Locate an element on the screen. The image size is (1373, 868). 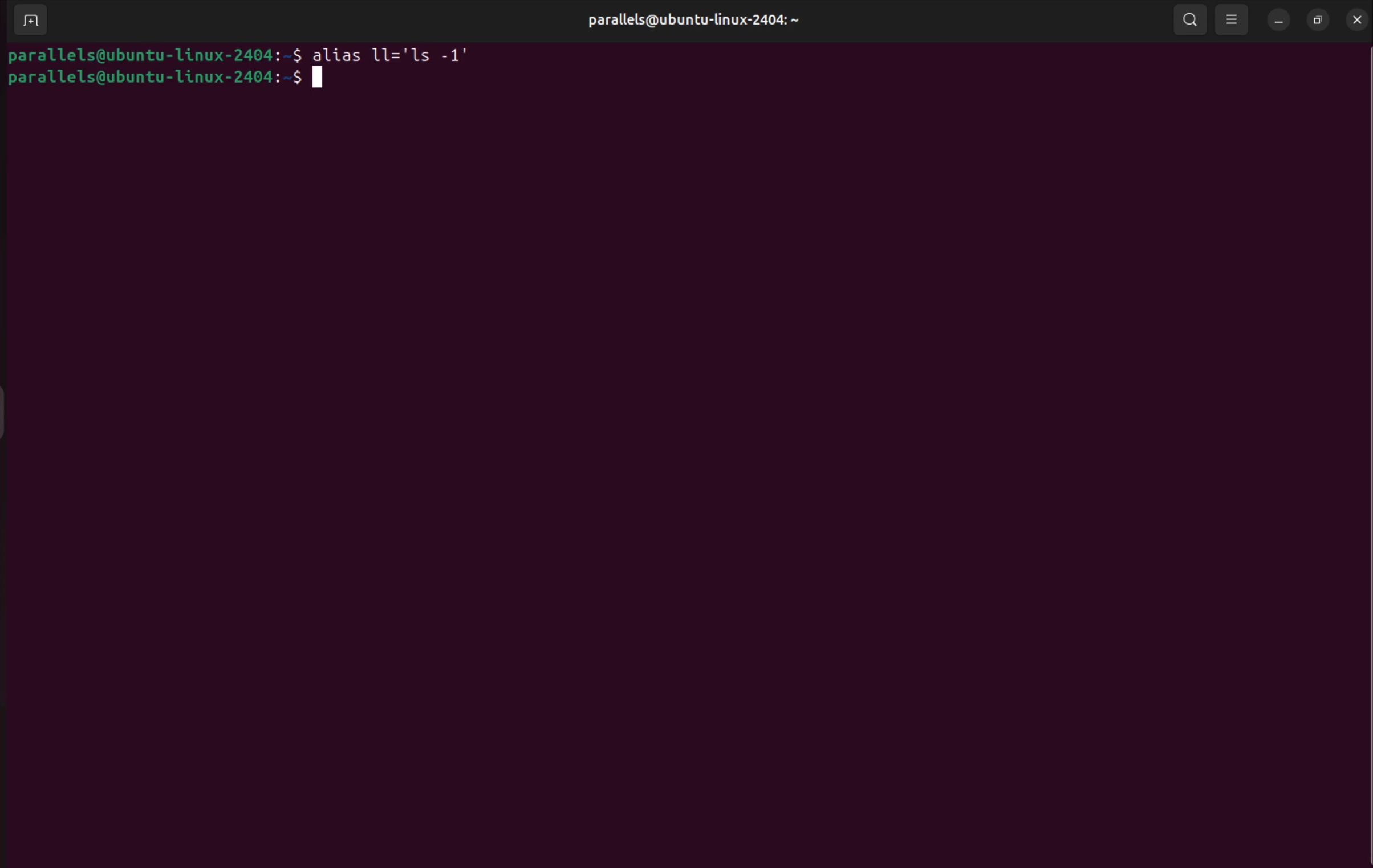
bash prompt is located at coordinates (153, 78).